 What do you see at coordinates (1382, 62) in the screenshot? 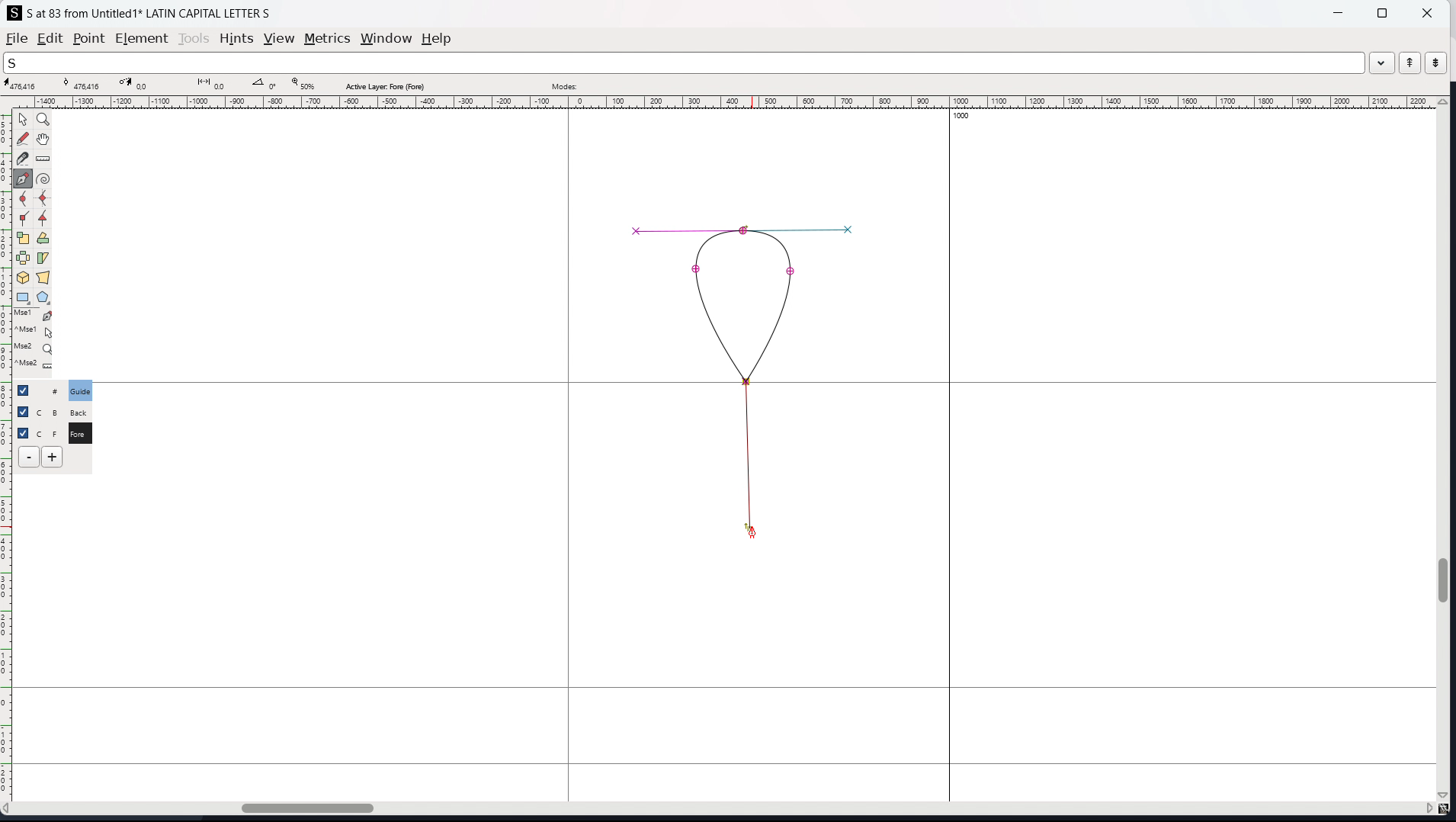
I see `dropdown` at bounding box center [1382, 62].